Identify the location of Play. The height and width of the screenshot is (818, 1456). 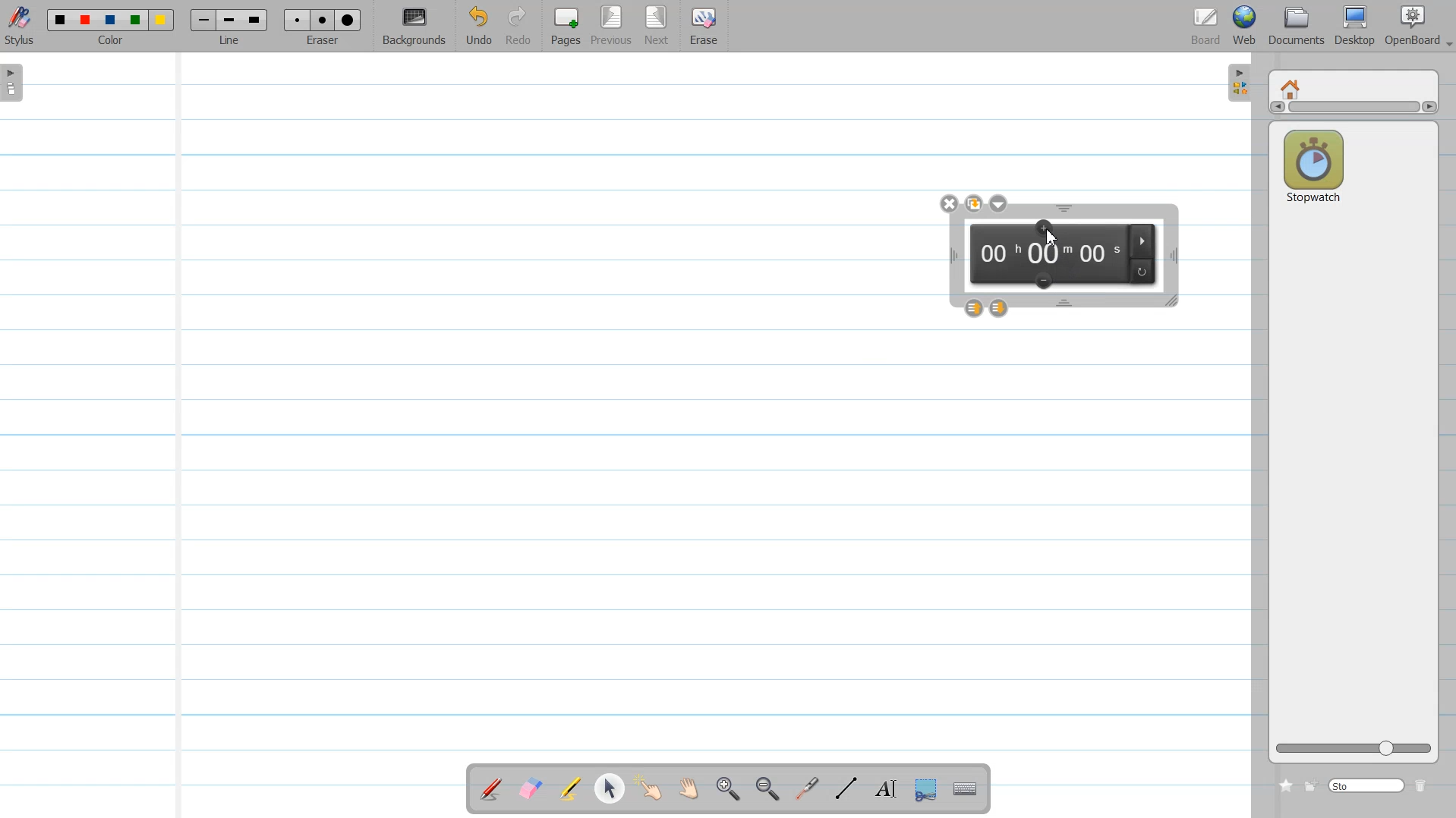
(1142, 240).